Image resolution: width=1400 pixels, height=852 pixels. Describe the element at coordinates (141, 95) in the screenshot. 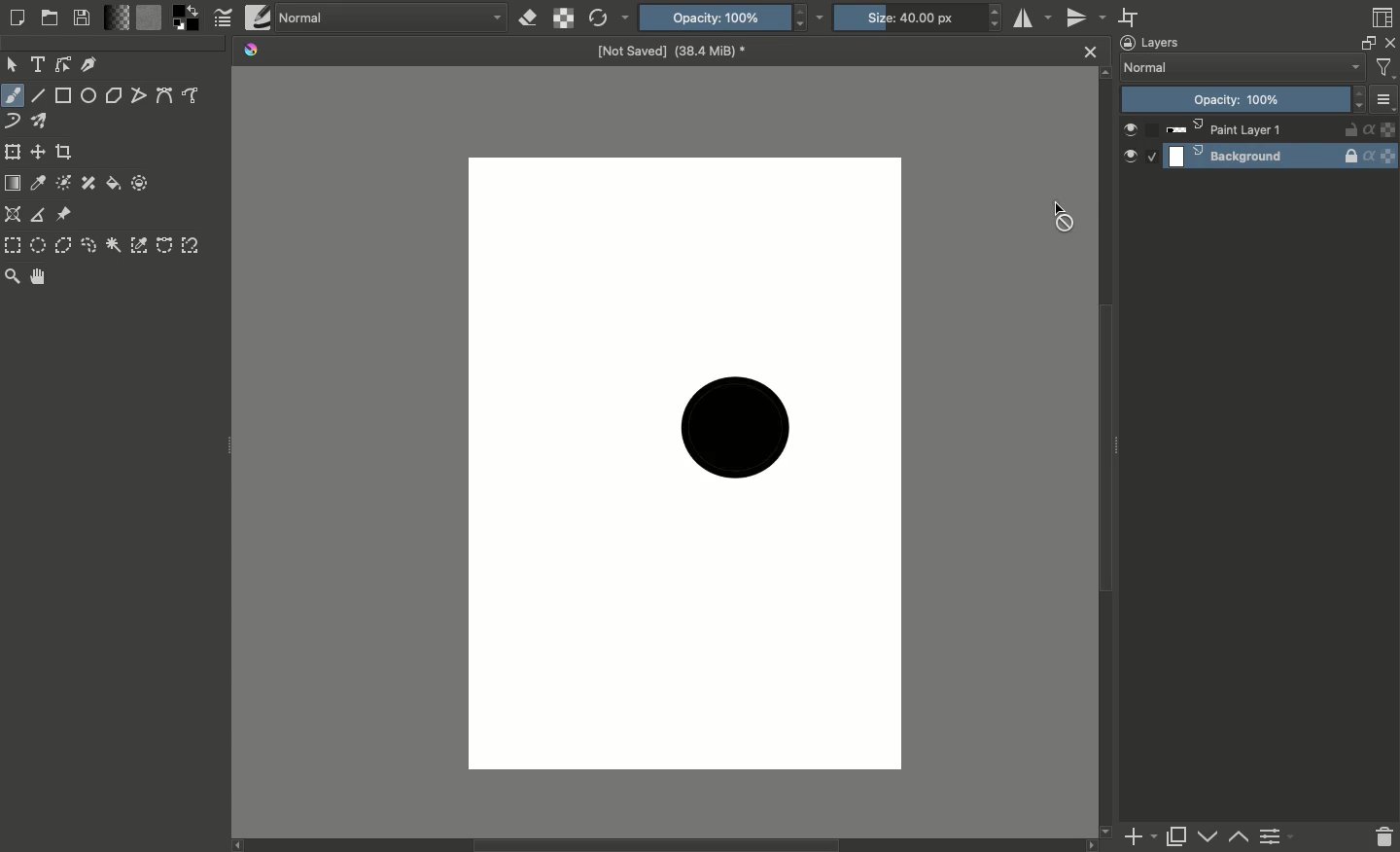

I see `Polyline` at that location.